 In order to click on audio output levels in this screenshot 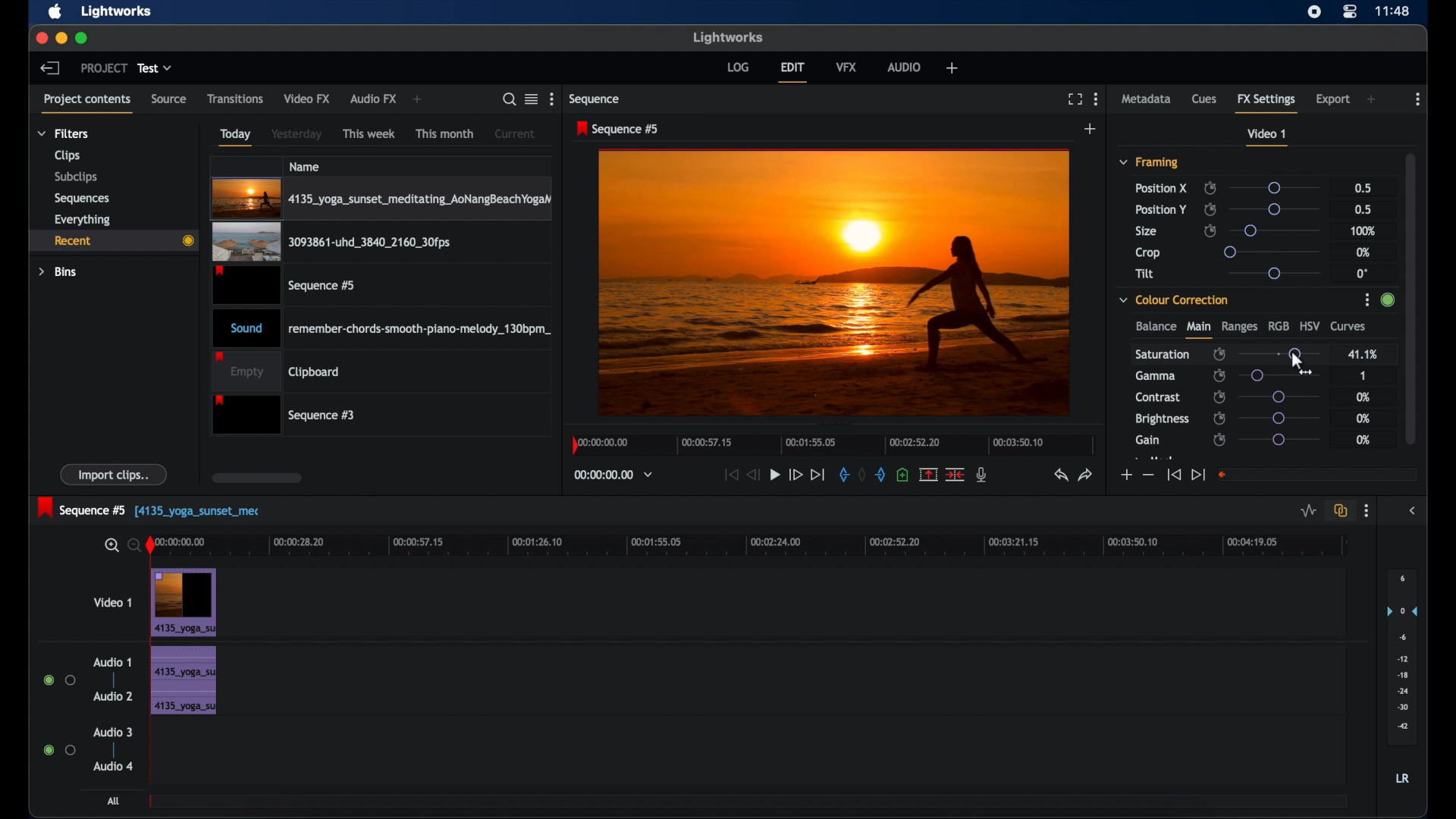, I will do `click(1401, 657)`.